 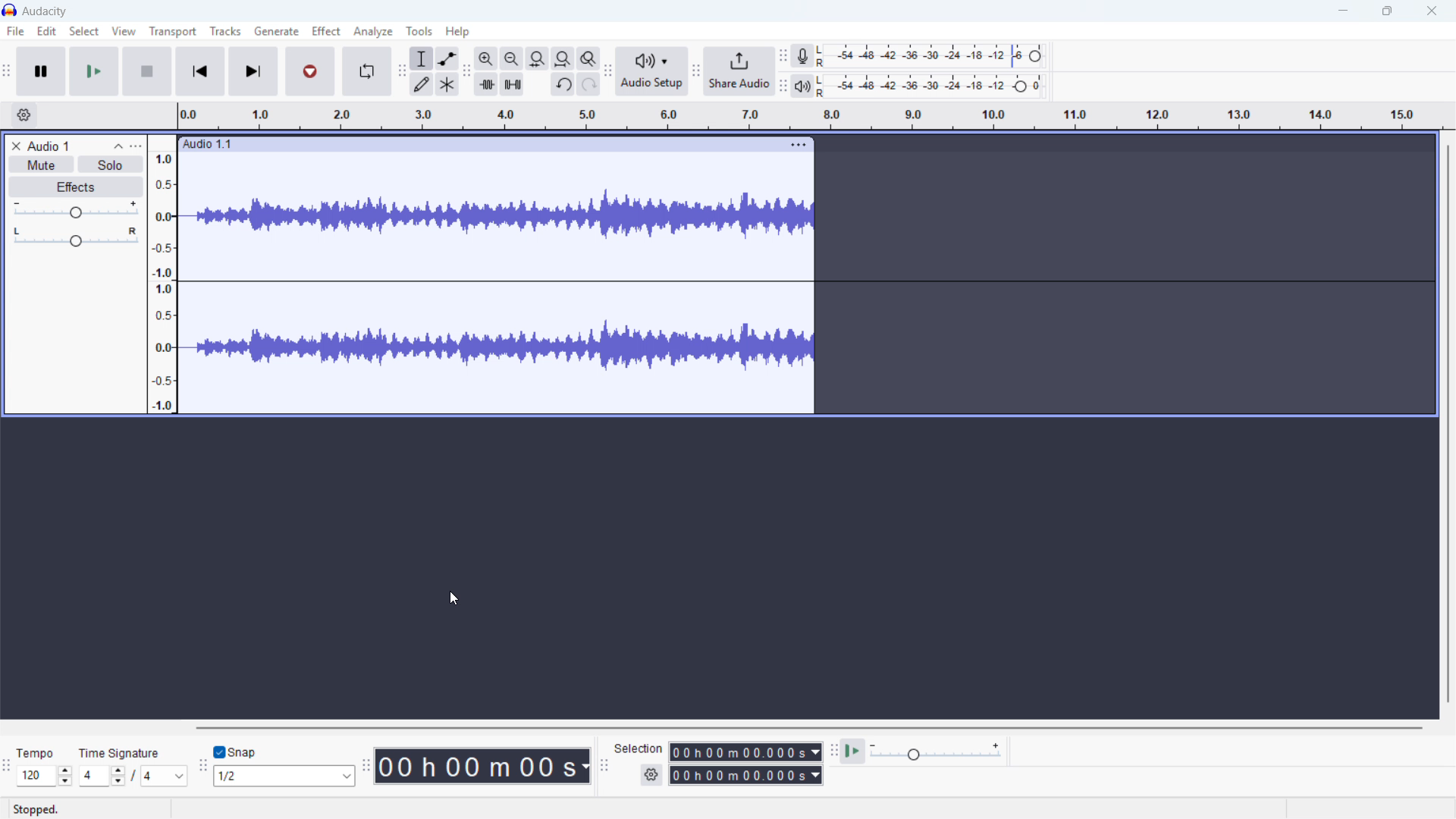 I want to click on Set time signature , so click(x=101, y=777).